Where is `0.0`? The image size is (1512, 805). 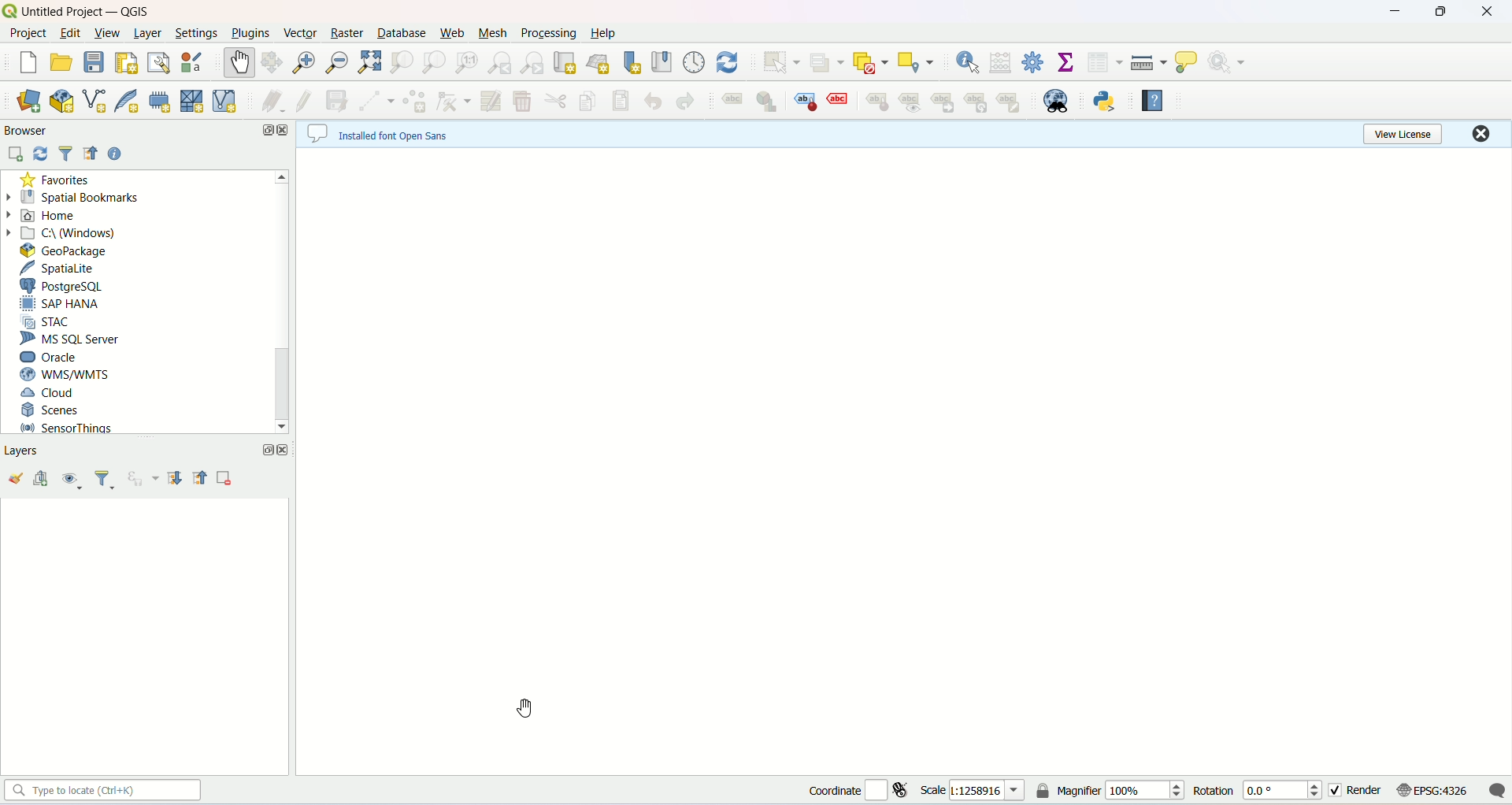
0.0 is located at coordinates (1282, 792).